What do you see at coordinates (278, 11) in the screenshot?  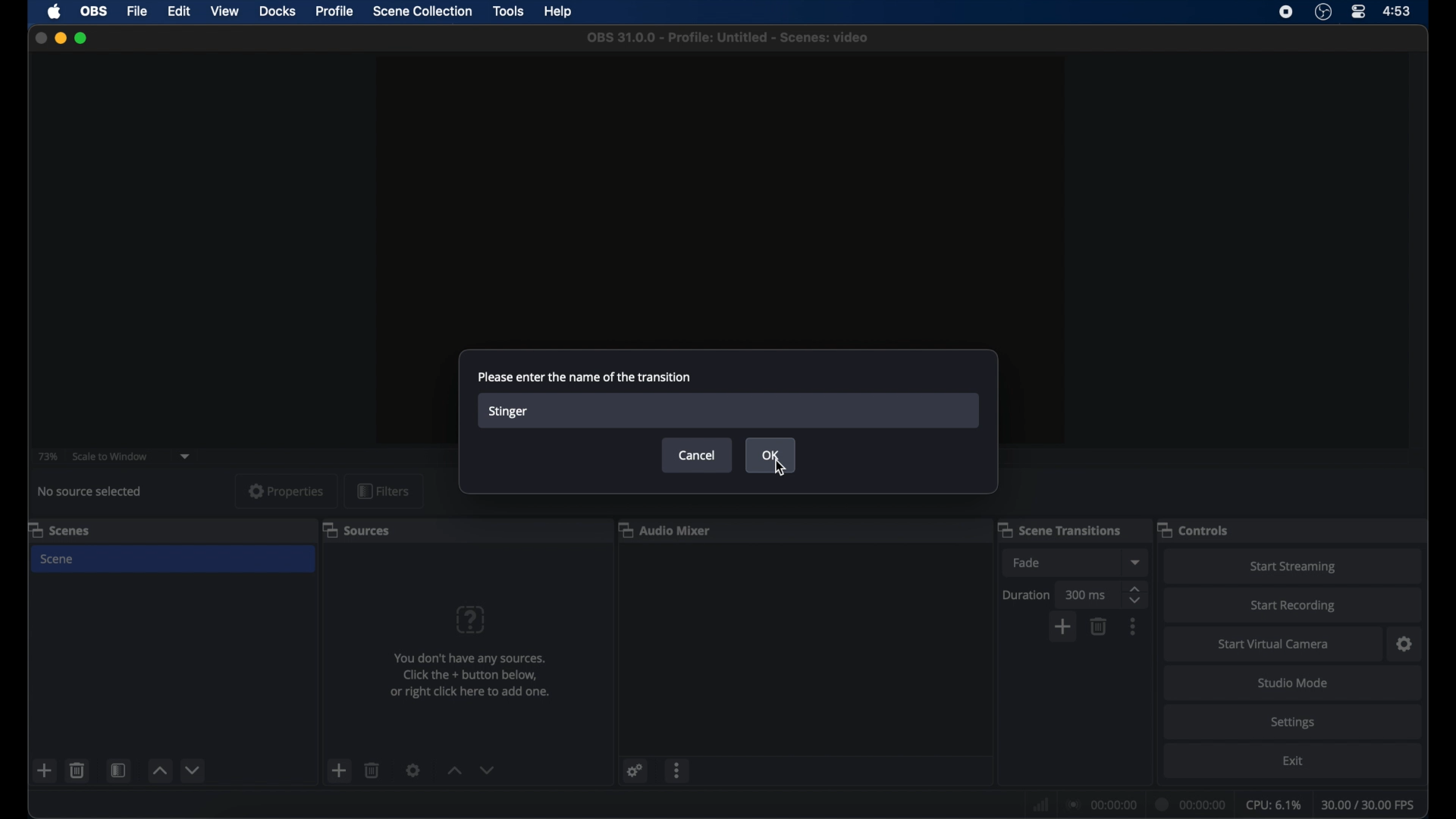 I see `docks` at bounding box center [278, 11].